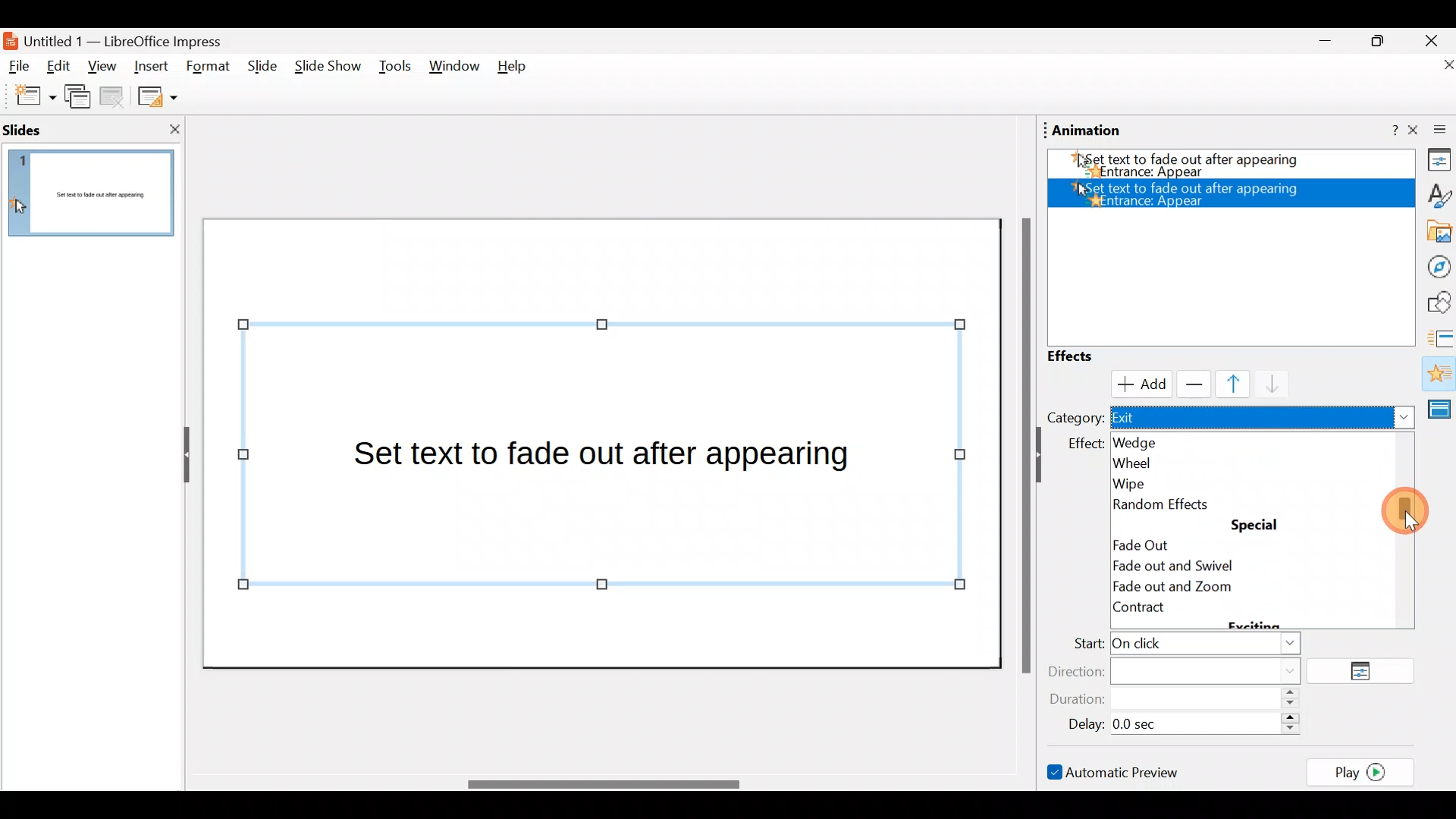 The width and height of the screenshot is (1456, 819). What do you see at coordinates (95, 193) in the screenshot?
I see `Slide pane` at bounding box center [95, 193].